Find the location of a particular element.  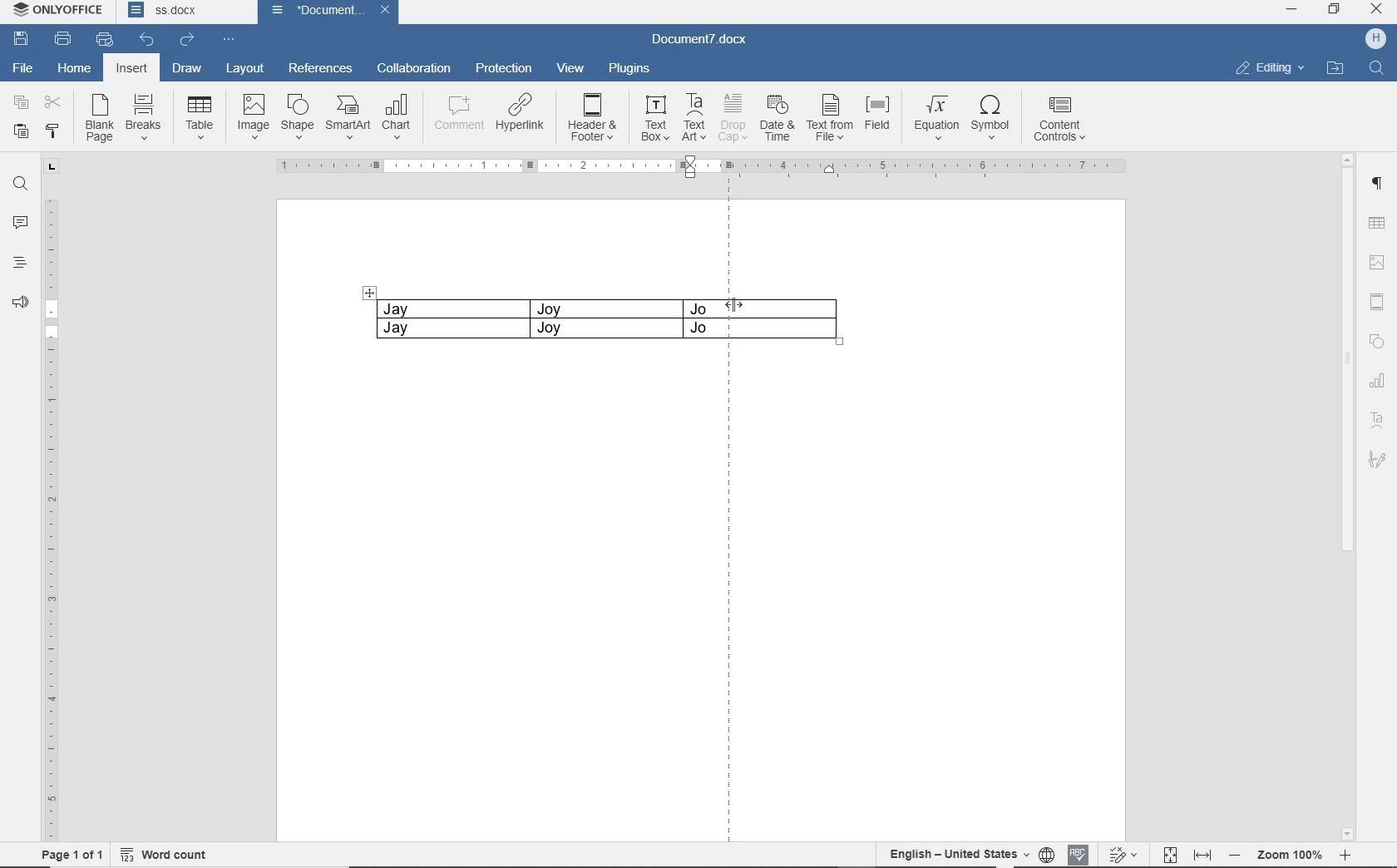

RULER is located at coordinates (705, 167).